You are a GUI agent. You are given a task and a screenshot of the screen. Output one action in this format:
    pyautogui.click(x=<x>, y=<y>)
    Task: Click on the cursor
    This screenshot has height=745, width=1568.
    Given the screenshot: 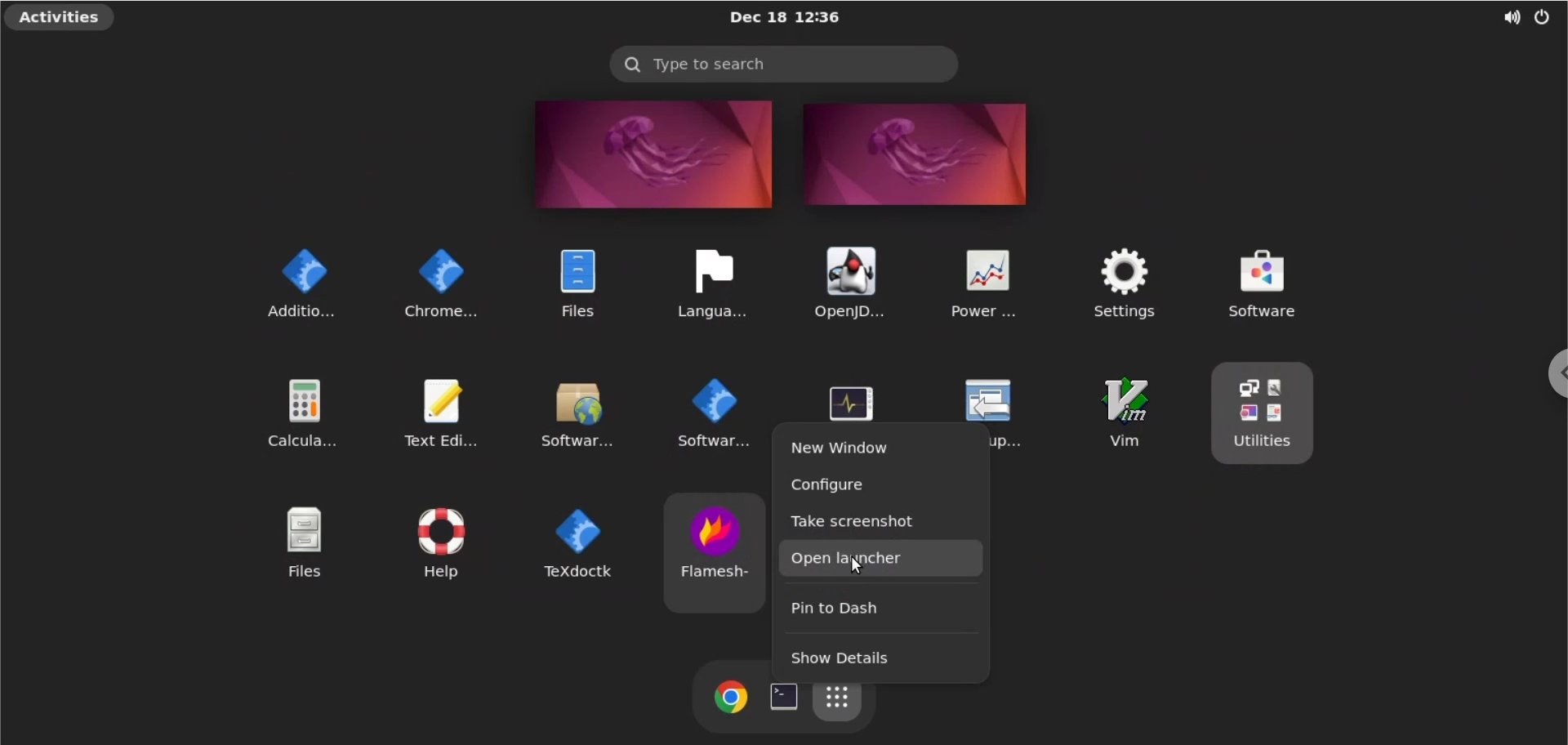 What is the action you would take?
    pyautogui.click(x=856, y=563)
    